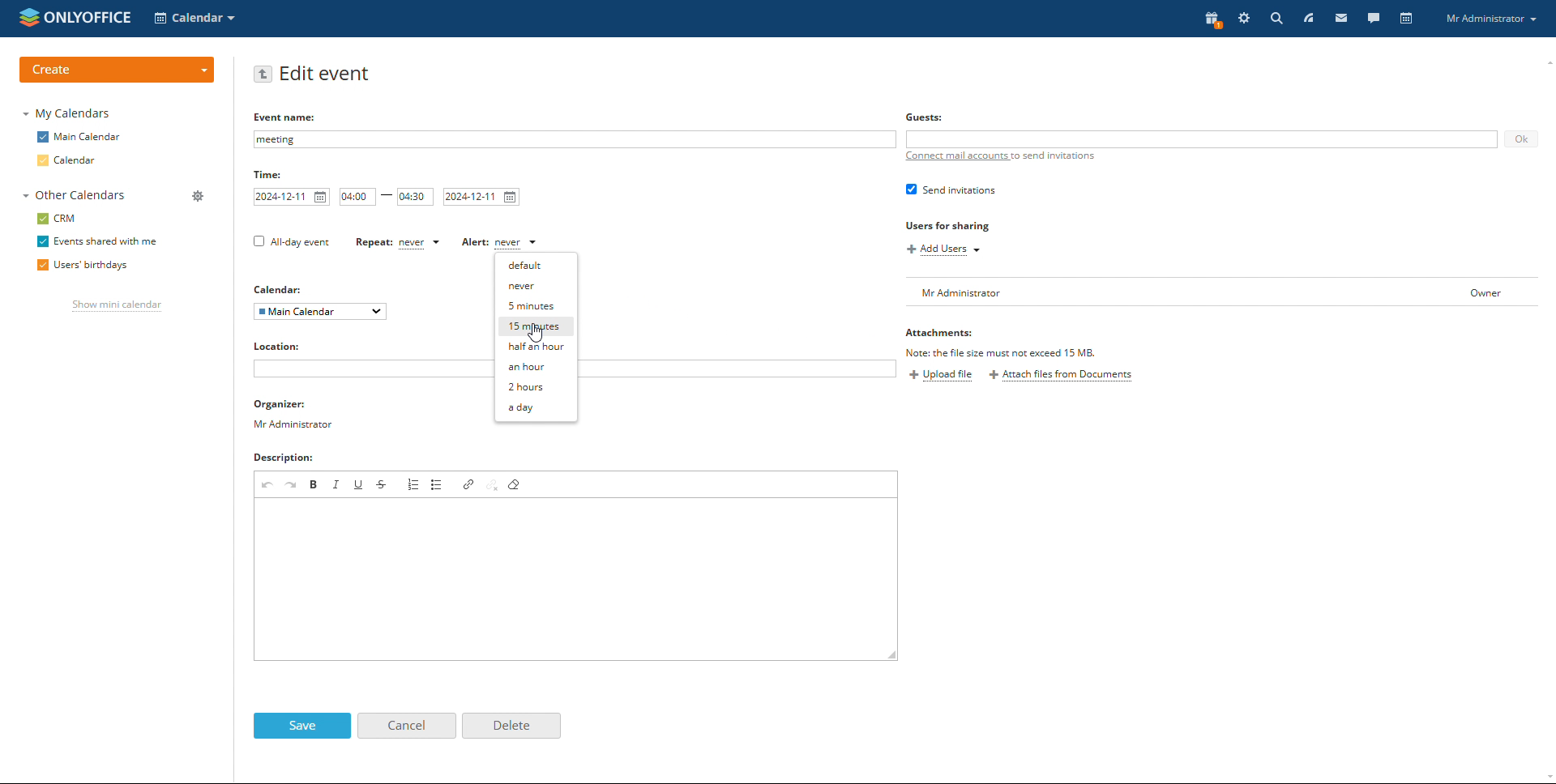 The width and height of the screenshot is (1556, 784). Describe the element at coordinates (511, 726) in the screenshot. I see `delete` at that location.